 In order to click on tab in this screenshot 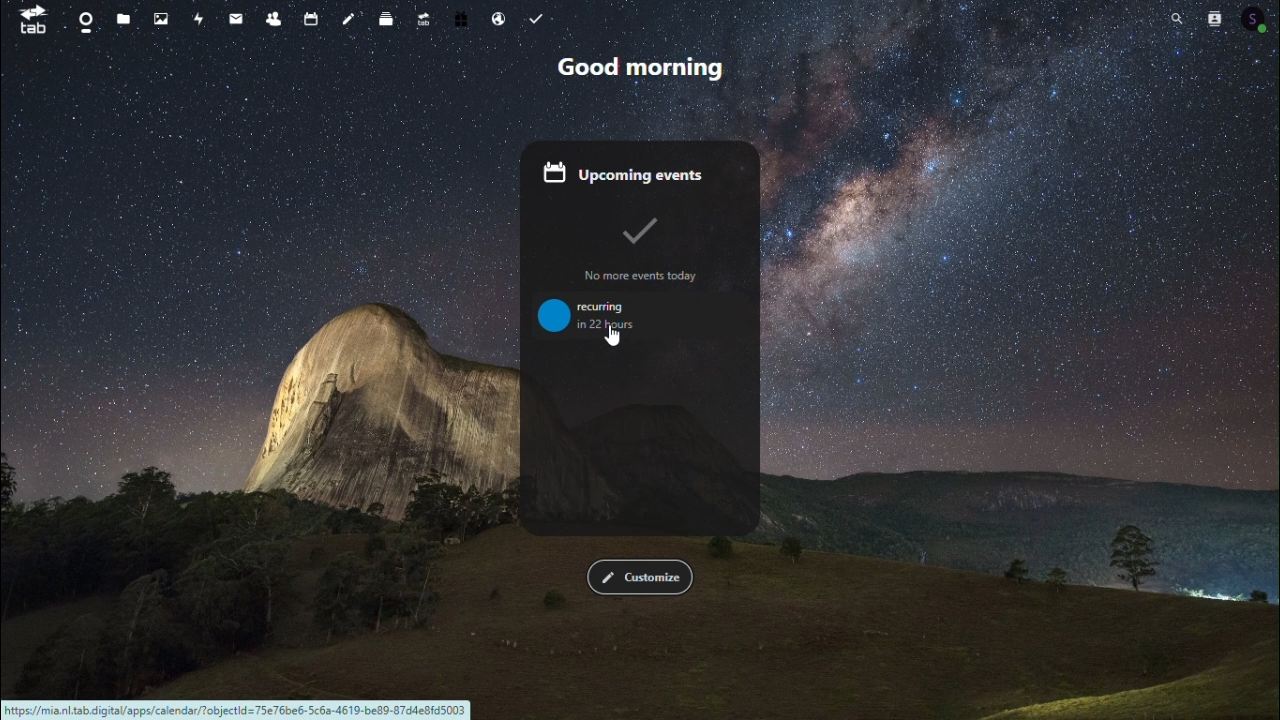, I will do `click(27, 19)`.